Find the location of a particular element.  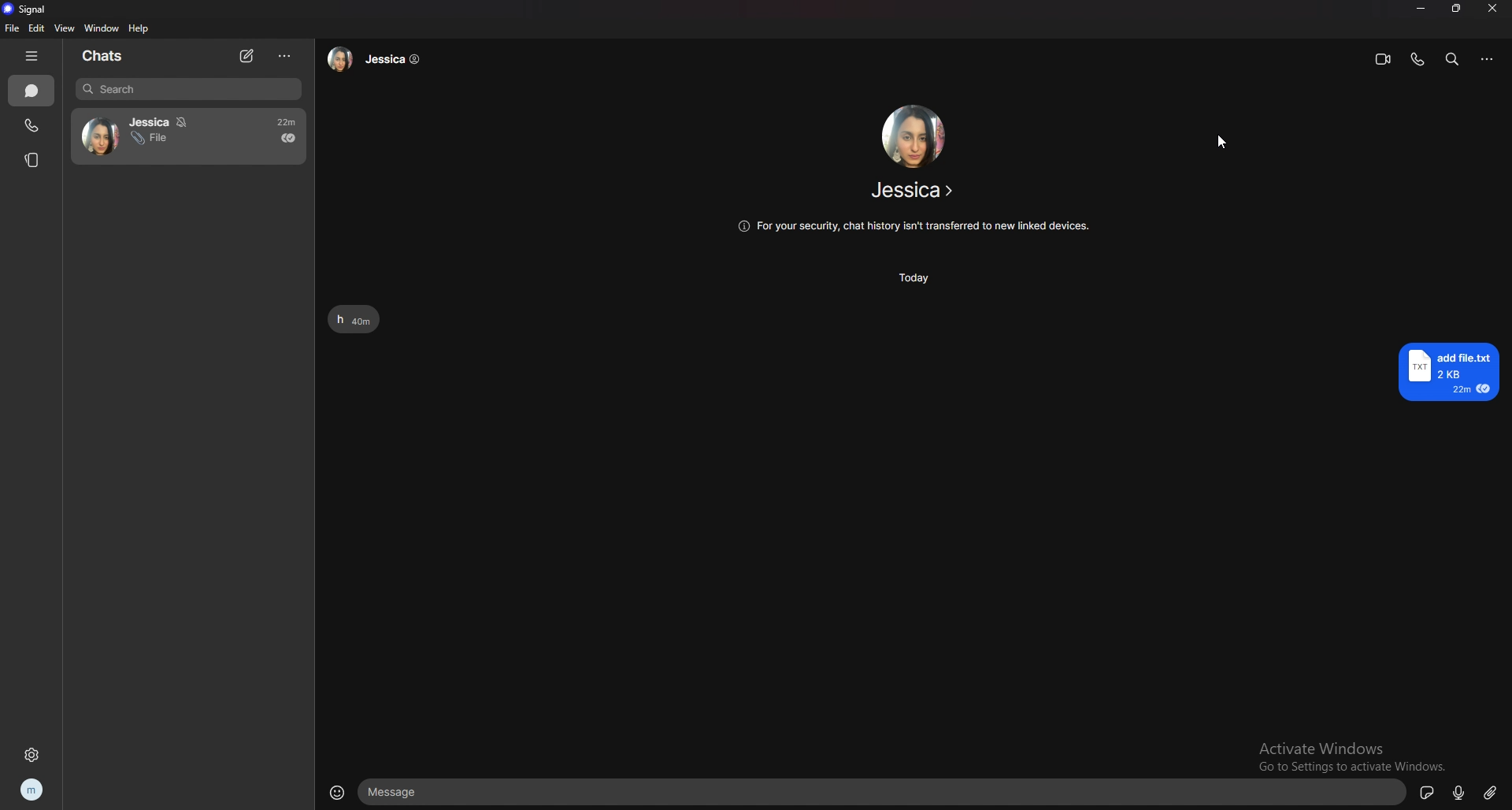

friend image is located at coordinates (912, 135).